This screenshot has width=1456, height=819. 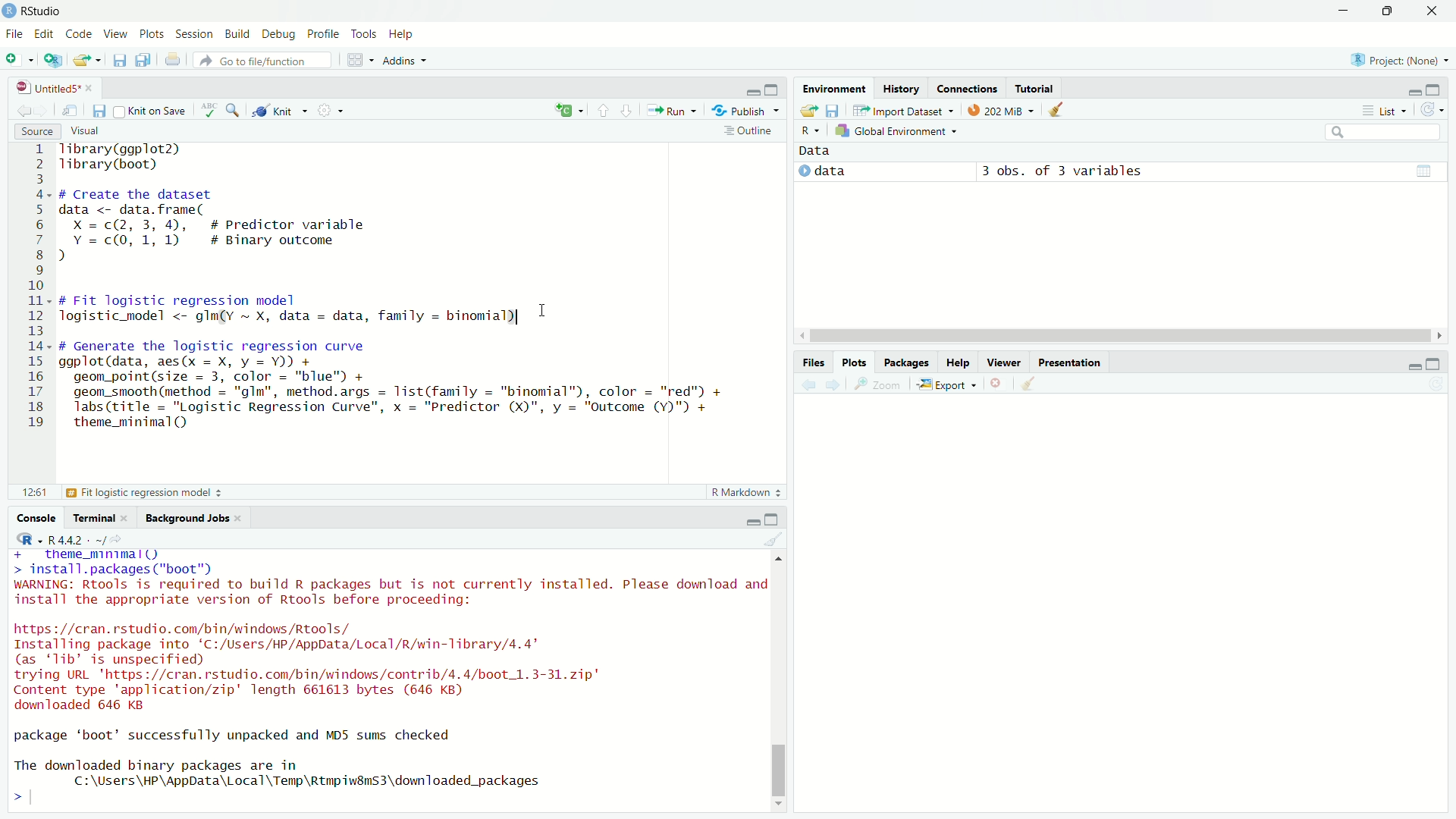 I want to click on Open recent files, so click(x=98, y=61).